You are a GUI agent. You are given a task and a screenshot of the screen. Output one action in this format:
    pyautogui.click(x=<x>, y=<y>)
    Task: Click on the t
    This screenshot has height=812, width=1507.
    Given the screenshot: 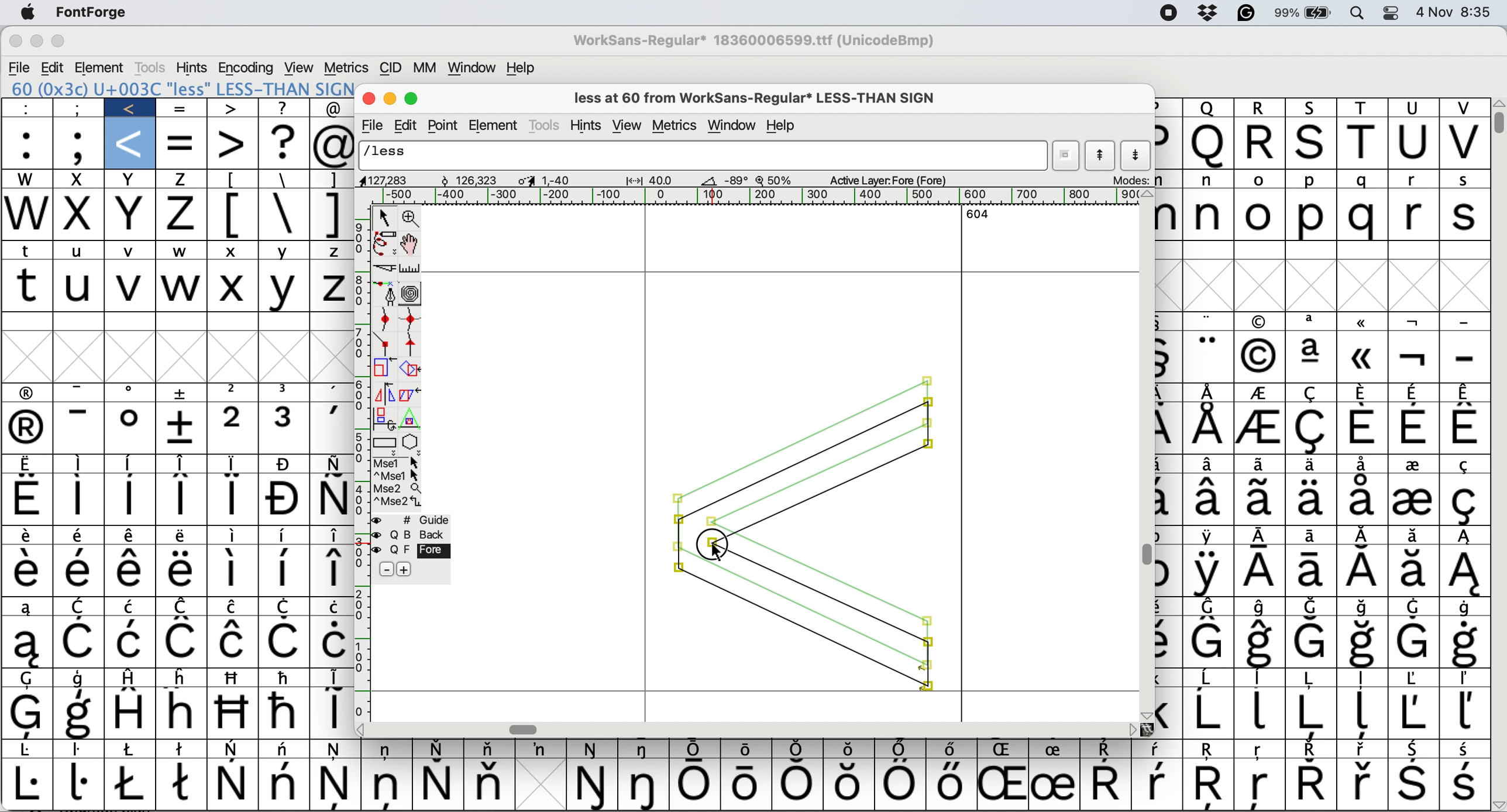 What is the action you would take?
    pyautogui.click(x=1363, y=143)
    